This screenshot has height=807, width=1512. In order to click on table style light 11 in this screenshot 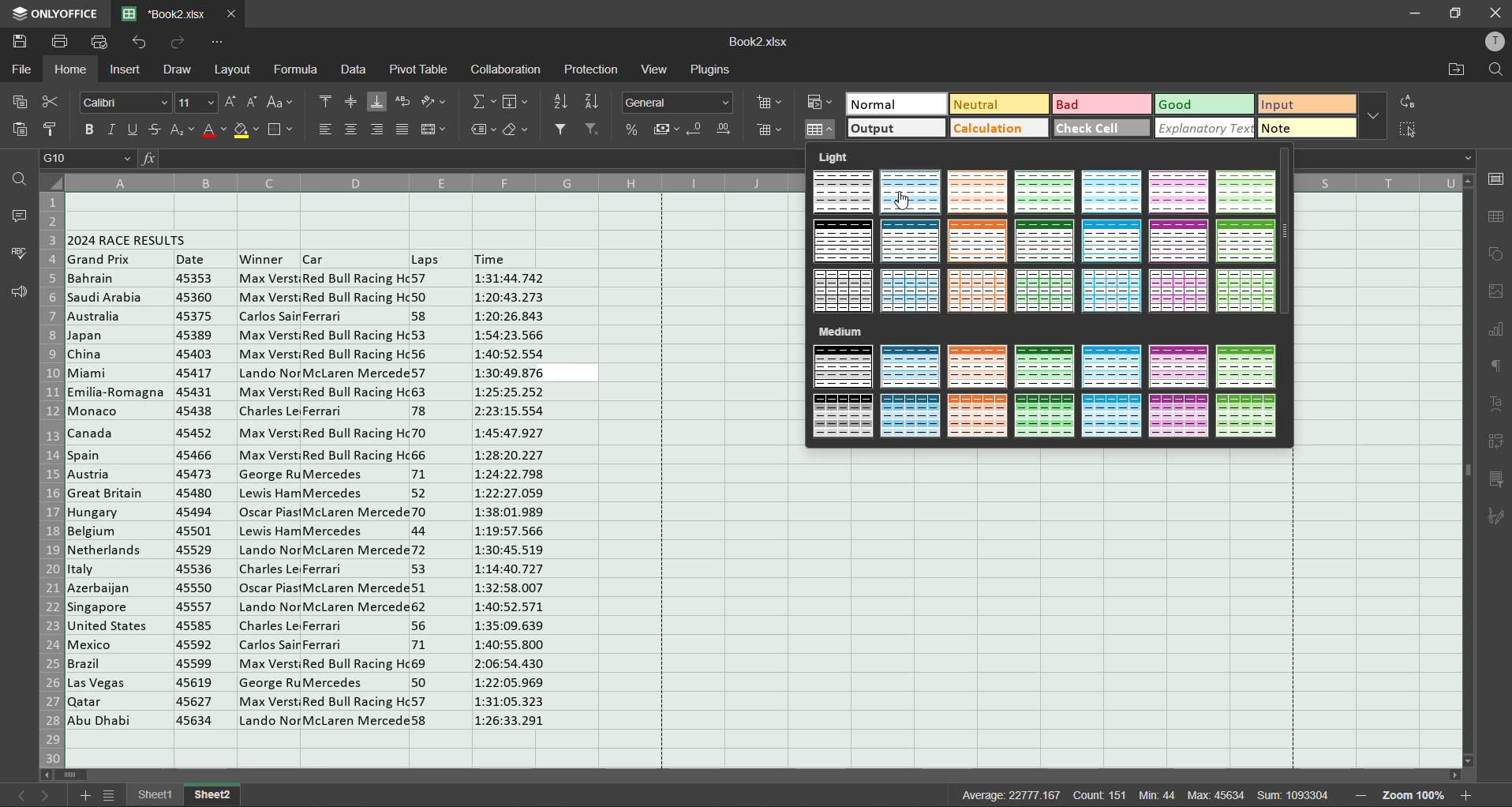, I will do `click(1046, 242)`.